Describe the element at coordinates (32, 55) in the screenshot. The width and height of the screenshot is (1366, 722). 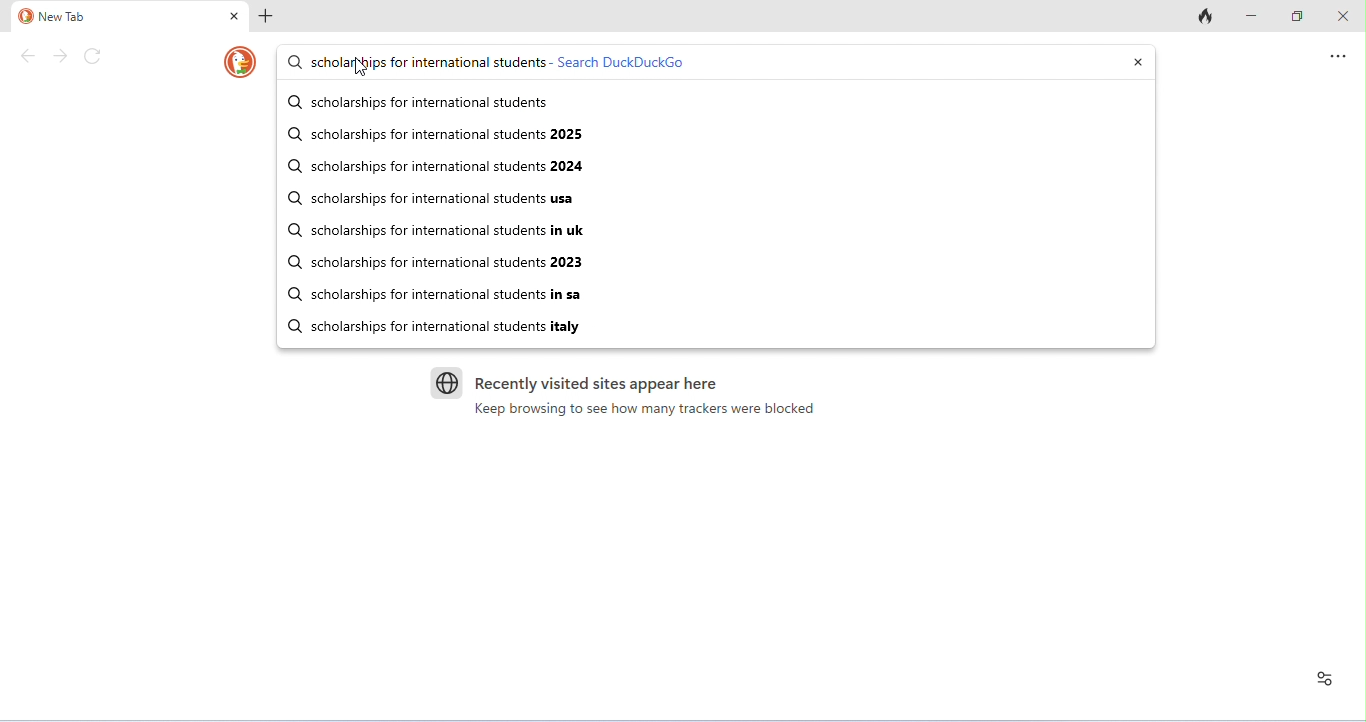
I see `back` at that location.